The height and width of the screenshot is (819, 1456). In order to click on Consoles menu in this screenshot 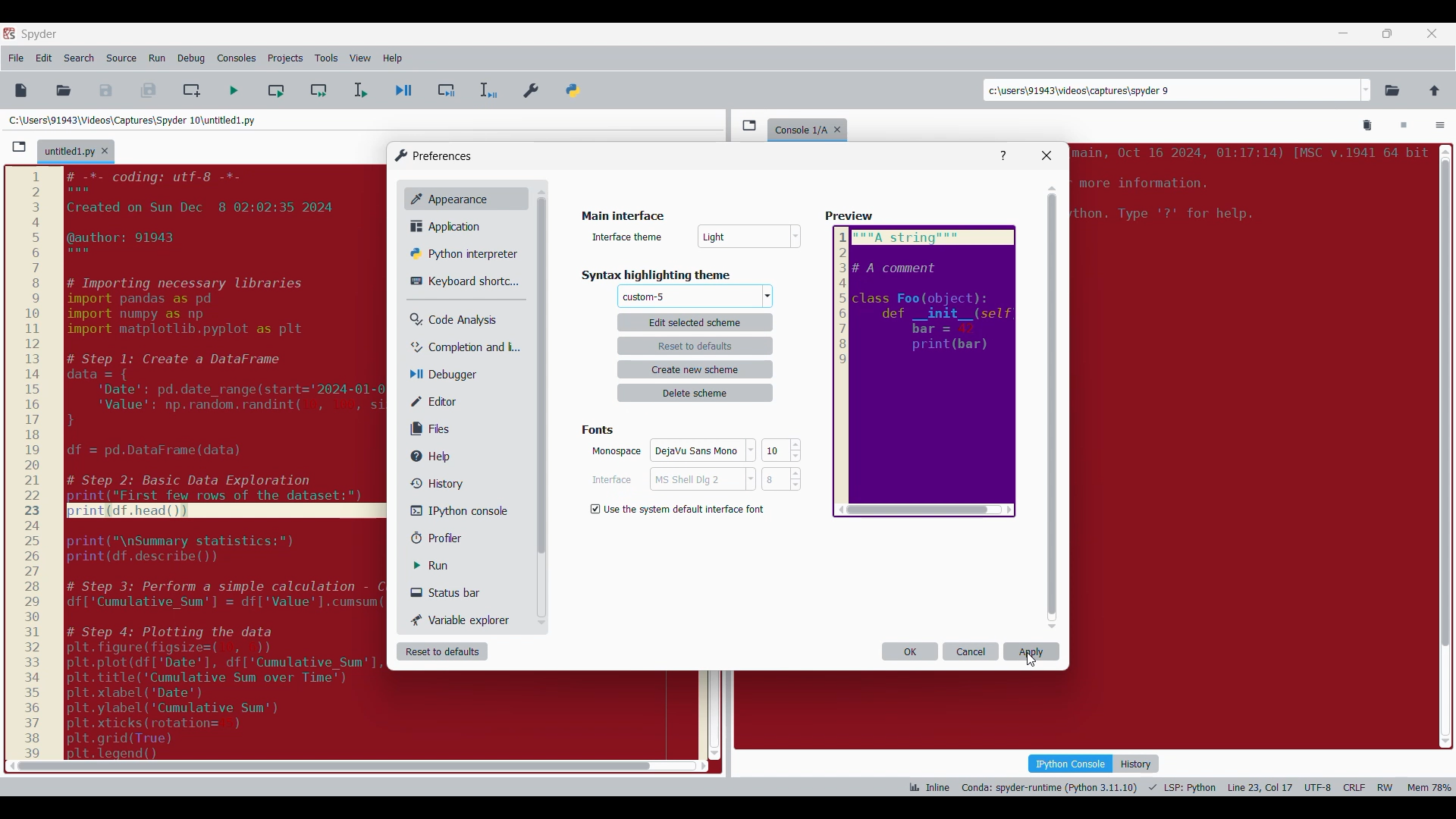, I will do `click(237, 58)`.